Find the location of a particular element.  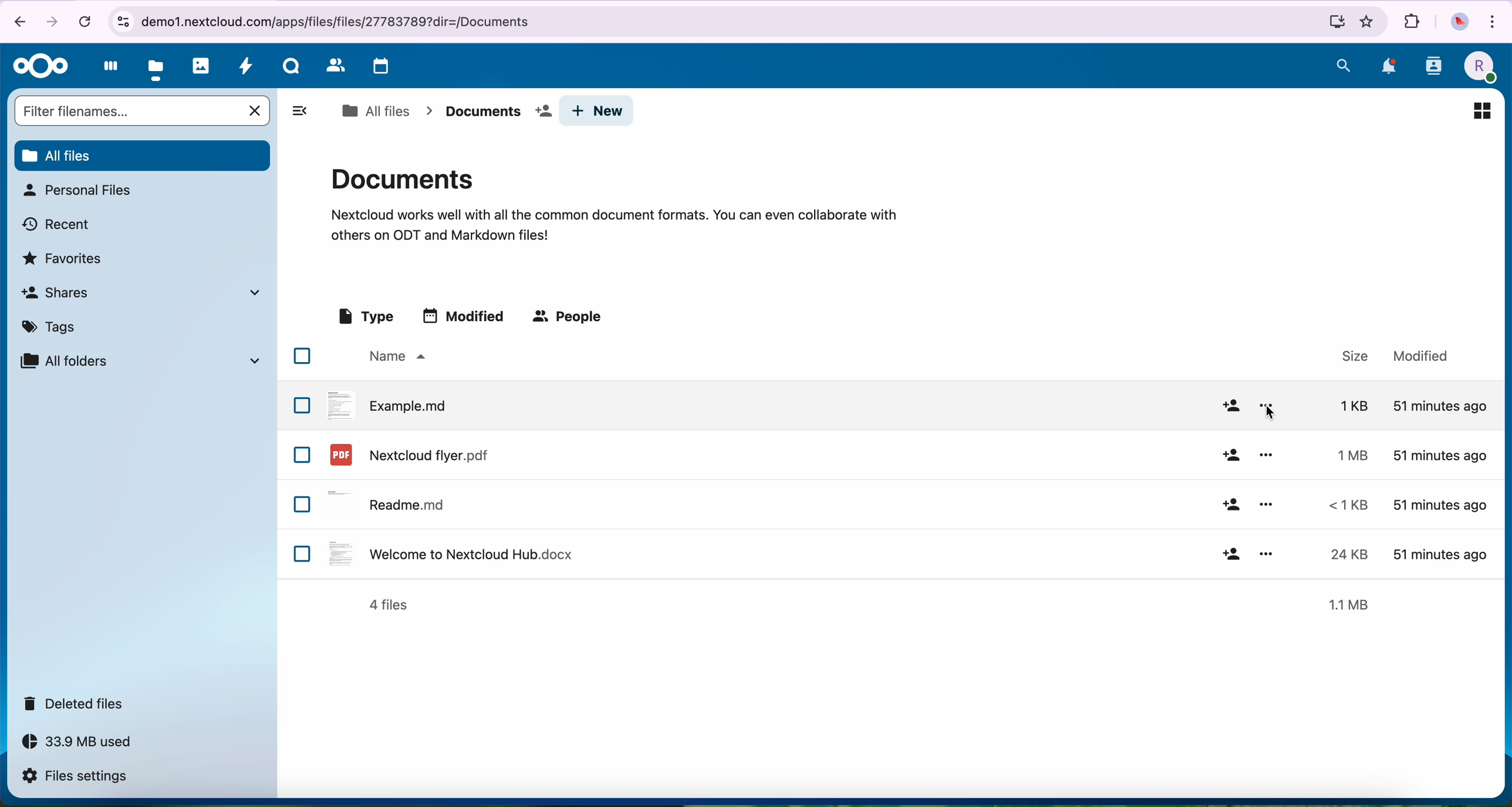

add is located at coordinates (1231, 407).